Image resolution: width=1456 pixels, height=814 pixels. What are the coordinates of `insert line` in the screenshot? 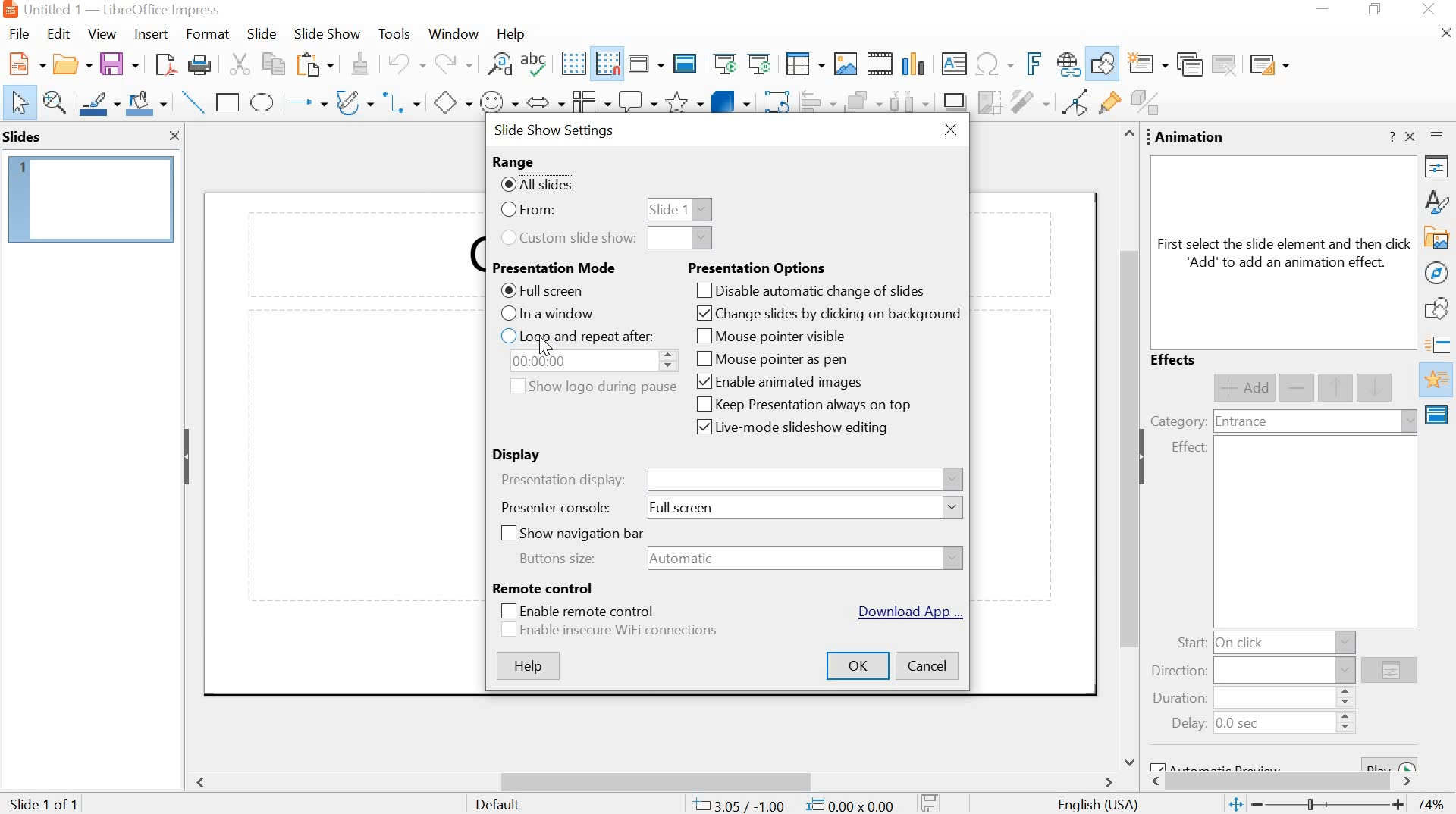 It's located at (193, 102).